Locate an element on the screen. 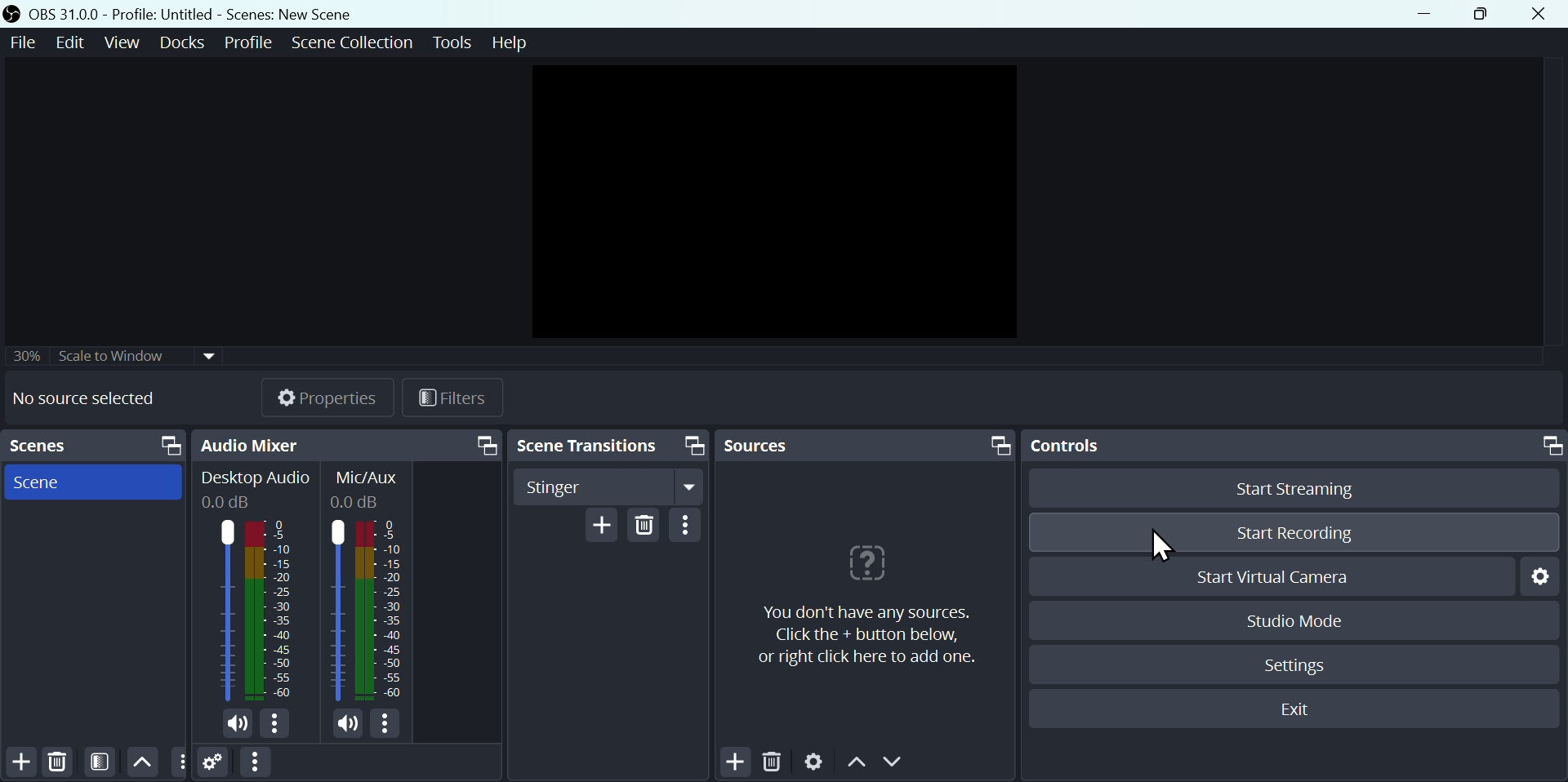 The image size is (1568, 782). Edit is located at coordinates (74, 48).